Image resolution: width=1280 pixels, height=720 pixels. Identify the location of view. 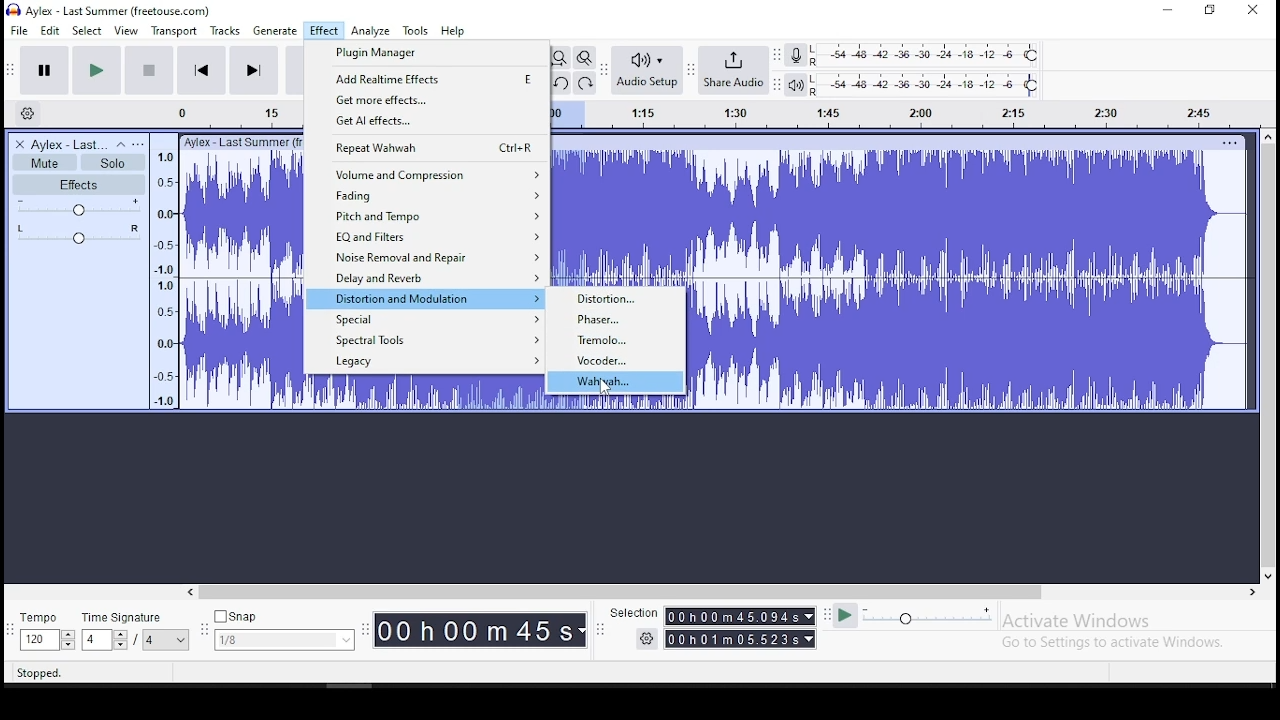
(127, 31).